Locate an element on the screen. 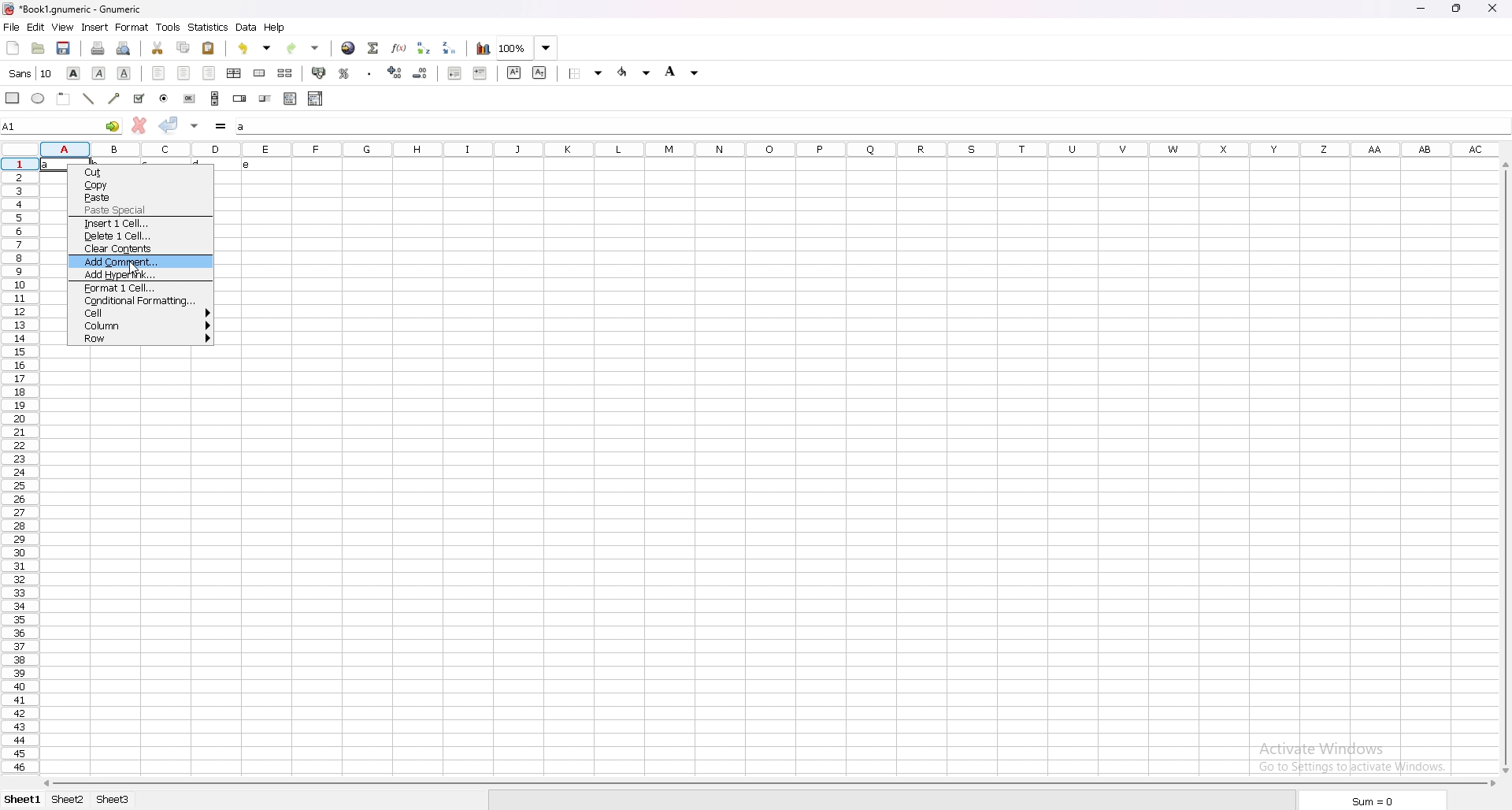 This screenshot has width=1512, height=810. file is located at coordinates (12, 27).